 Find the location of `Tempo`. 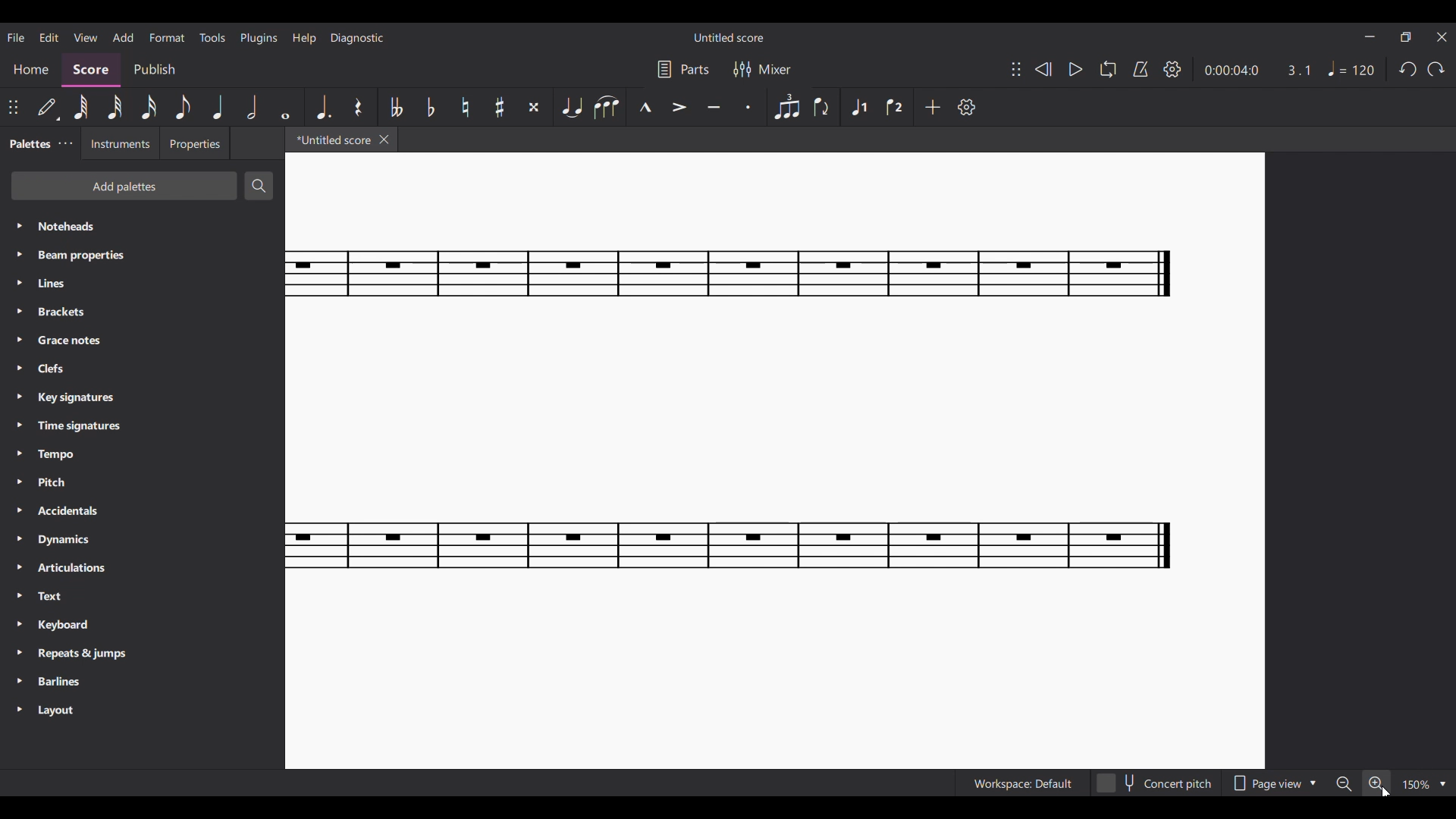

Tempo is located at coordinates (1351, 68).